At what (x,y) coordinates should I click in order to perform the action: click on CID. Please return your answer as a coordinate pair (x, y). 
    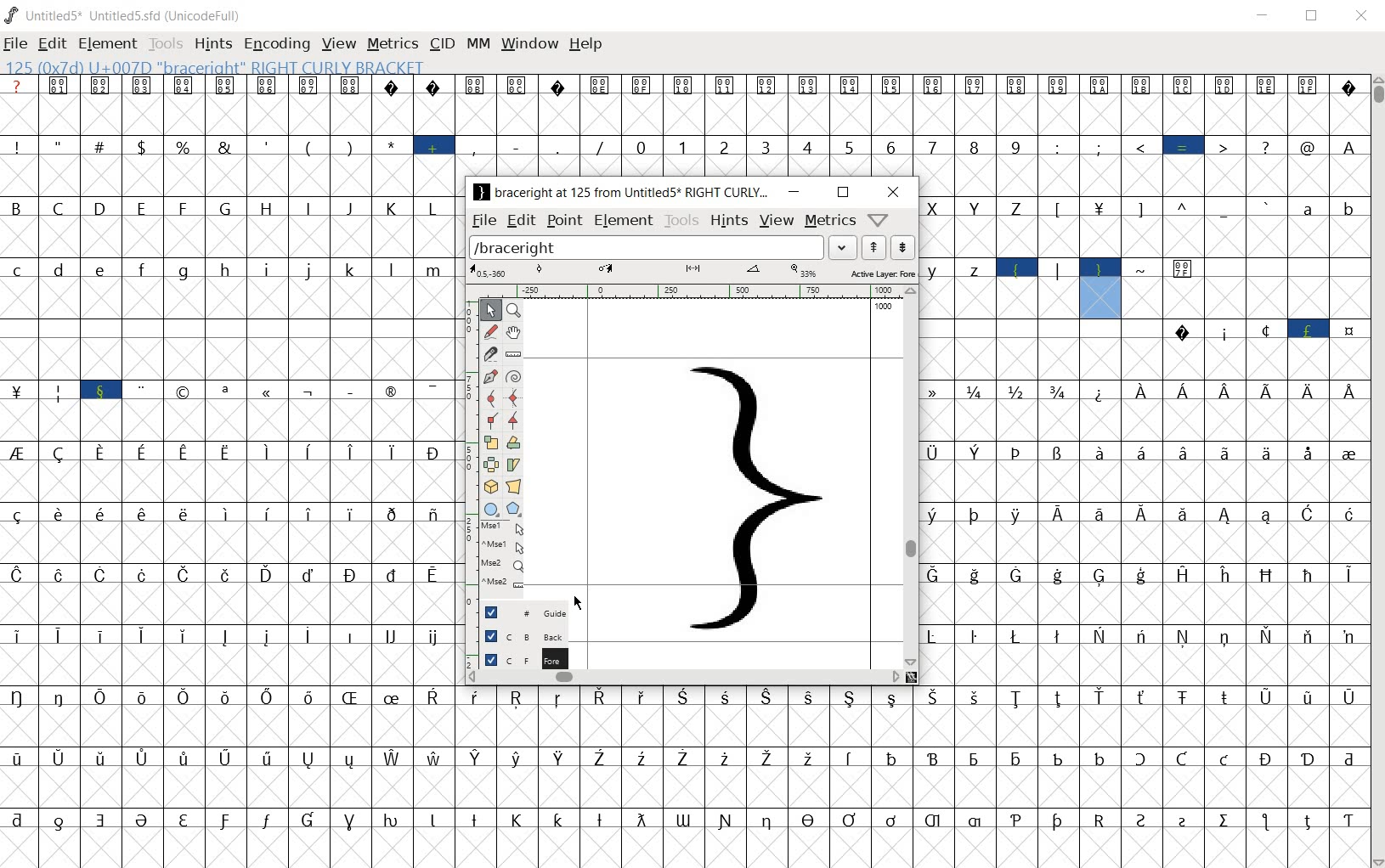
    Looking at the image, I should click on (442, 44).